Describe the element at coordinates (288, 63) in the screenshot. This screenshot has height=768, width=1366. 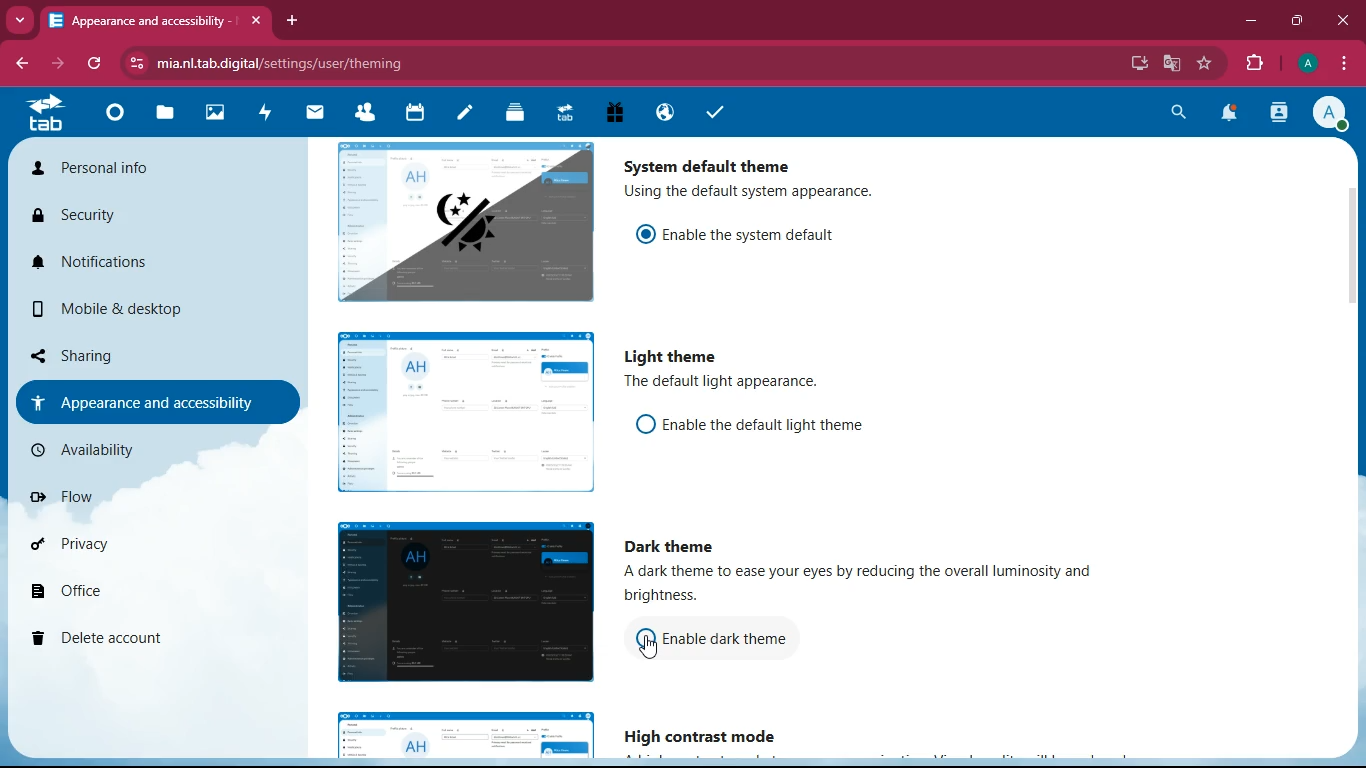
I see `url` at that location.